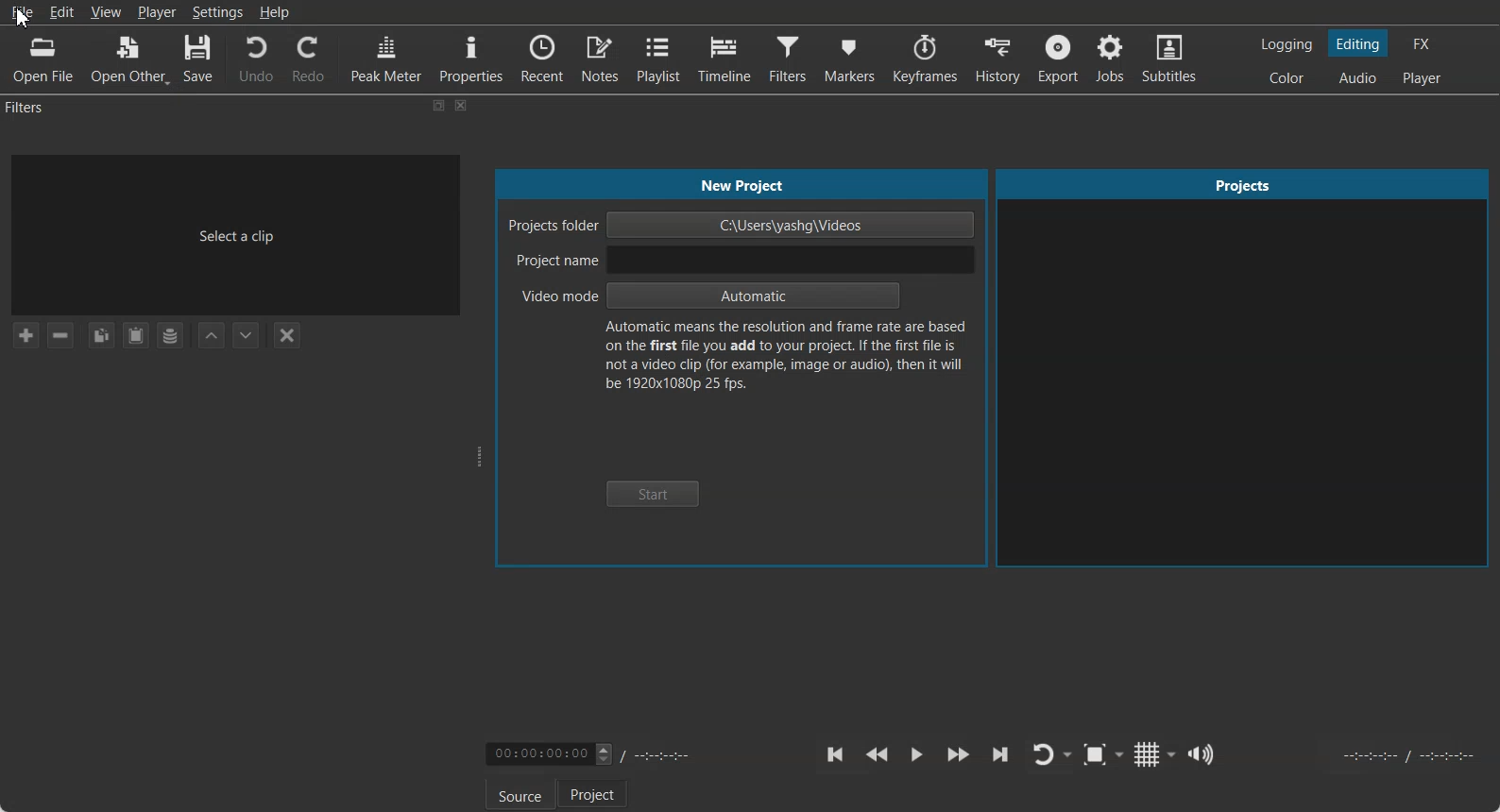  Describe the element at coordinates (1112, 59) in the screenshot. I see `Jobs` at that location.